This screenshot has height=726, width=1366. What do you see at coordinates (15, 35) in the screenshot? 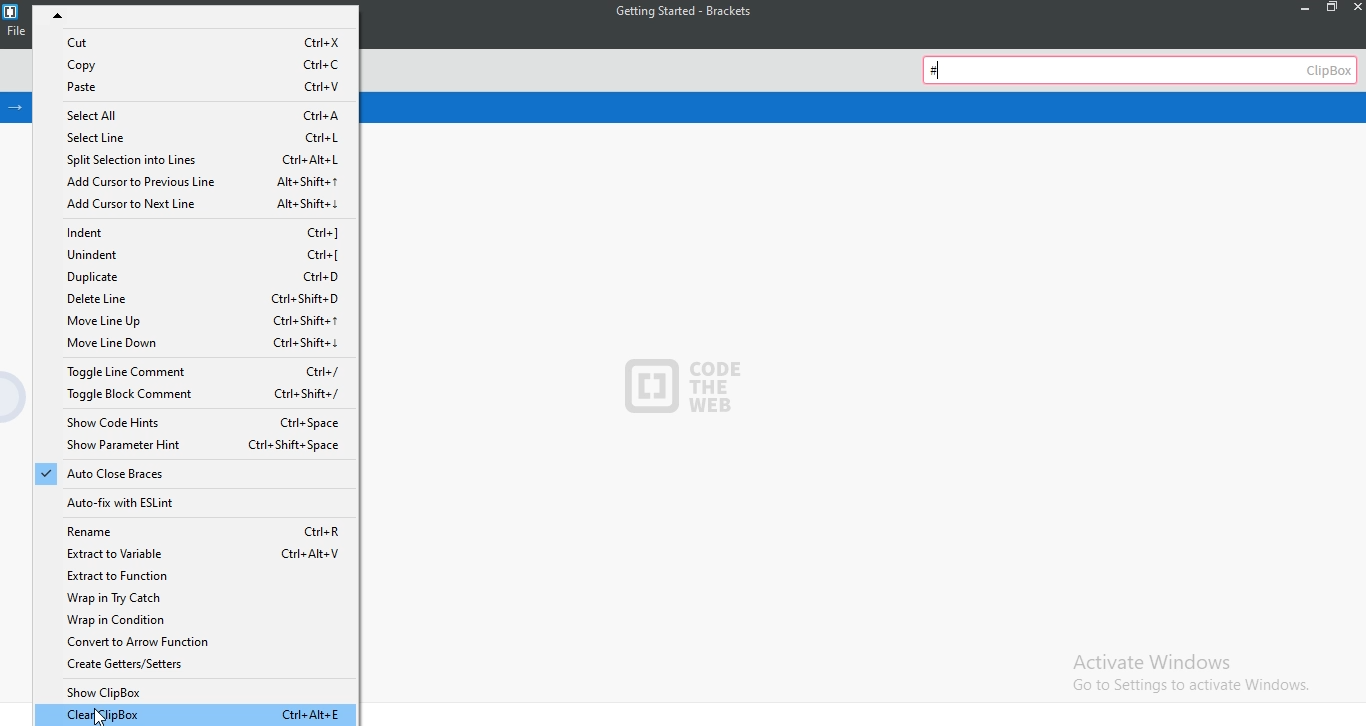
I see `File` at bounding box center [15, 35].